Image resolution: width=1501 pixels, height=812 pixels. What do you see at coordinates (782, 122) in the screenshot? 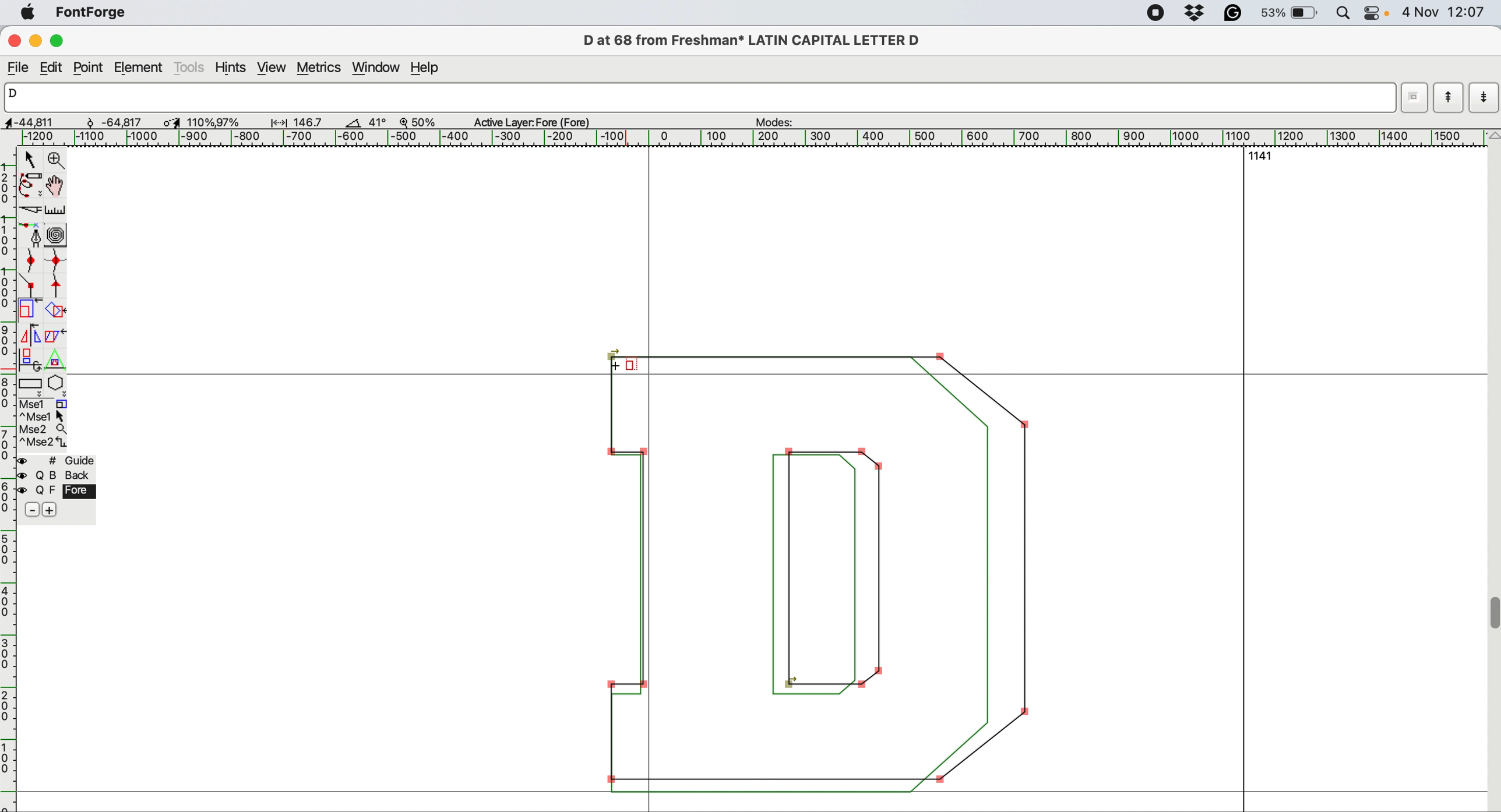
I see `modes` at bounding box center [782, 122].